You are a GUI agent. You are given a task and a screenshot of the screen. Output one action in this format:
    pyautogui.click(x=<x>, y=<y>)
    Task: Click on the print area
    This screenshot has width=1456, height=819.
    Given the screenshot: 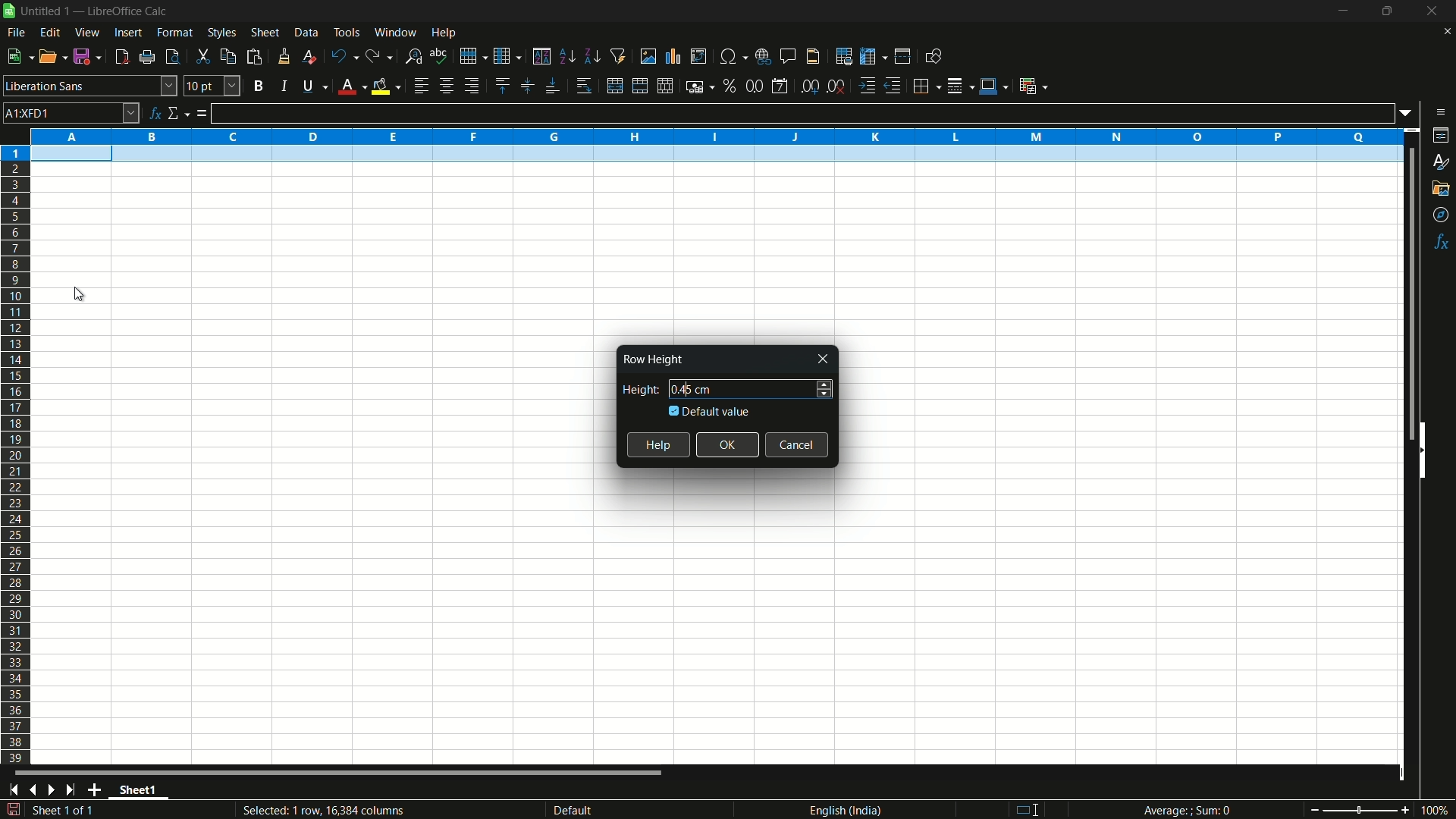 What is the action you would take?
    pyautogui.click(x=844, y=56)
    